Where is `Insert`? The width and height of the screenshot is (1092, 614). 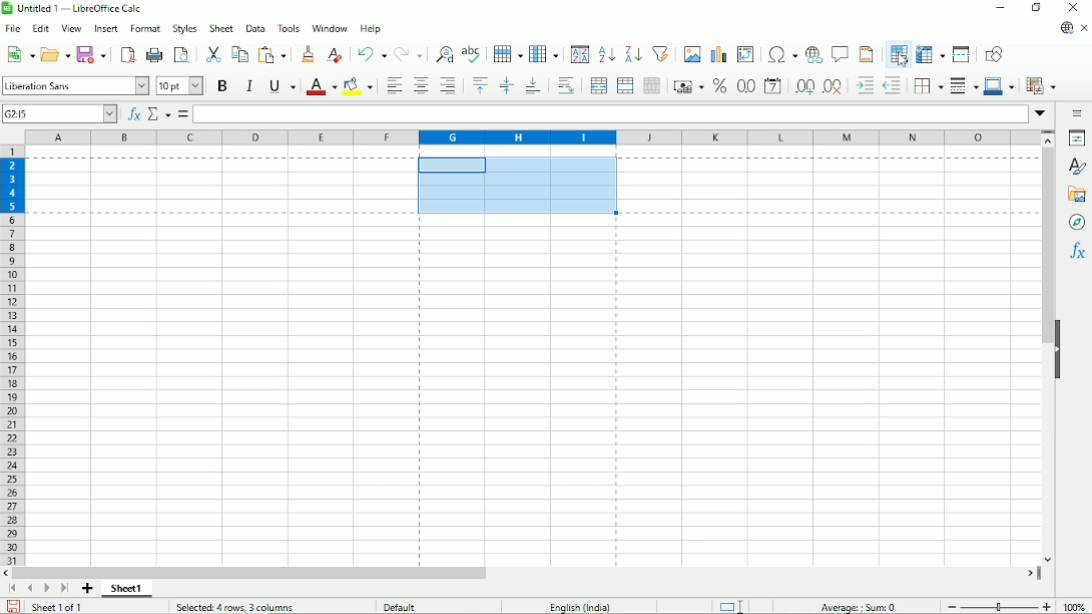
Insert is located at coordinates (104, 28).